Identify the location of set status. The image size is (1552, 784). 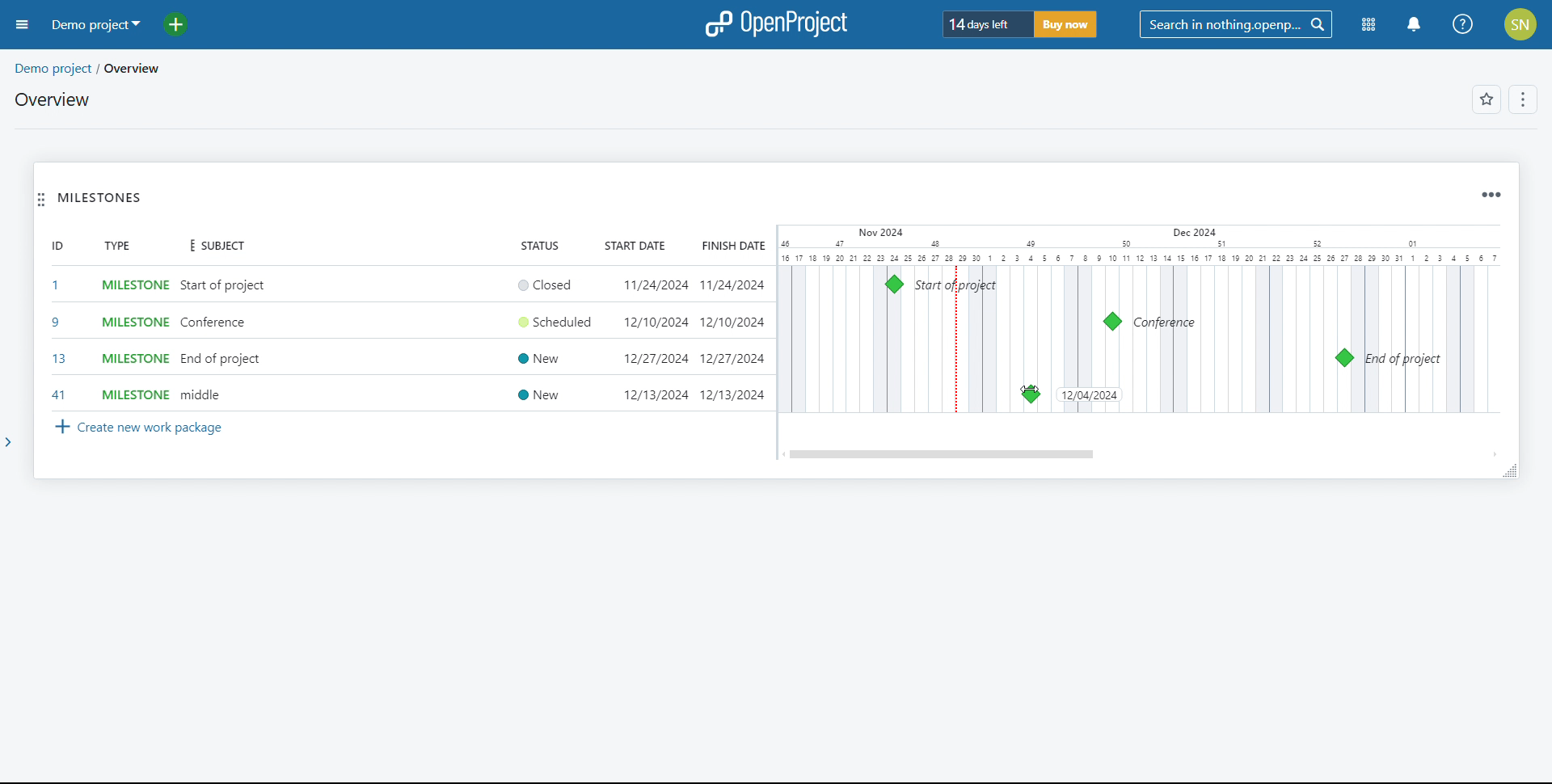
(550, 340).